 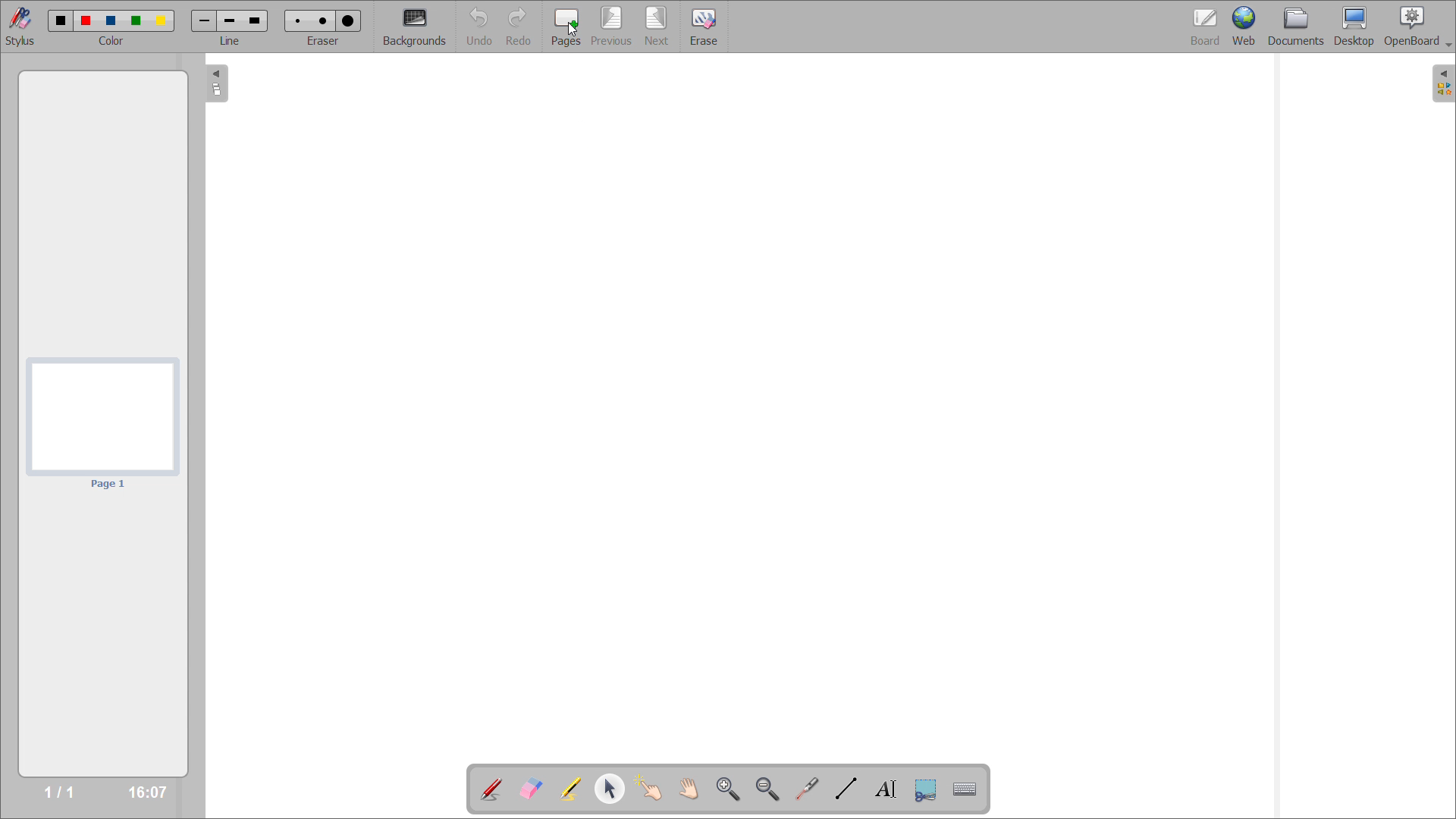 I want to click on cursor, so click(x=572, y=30).